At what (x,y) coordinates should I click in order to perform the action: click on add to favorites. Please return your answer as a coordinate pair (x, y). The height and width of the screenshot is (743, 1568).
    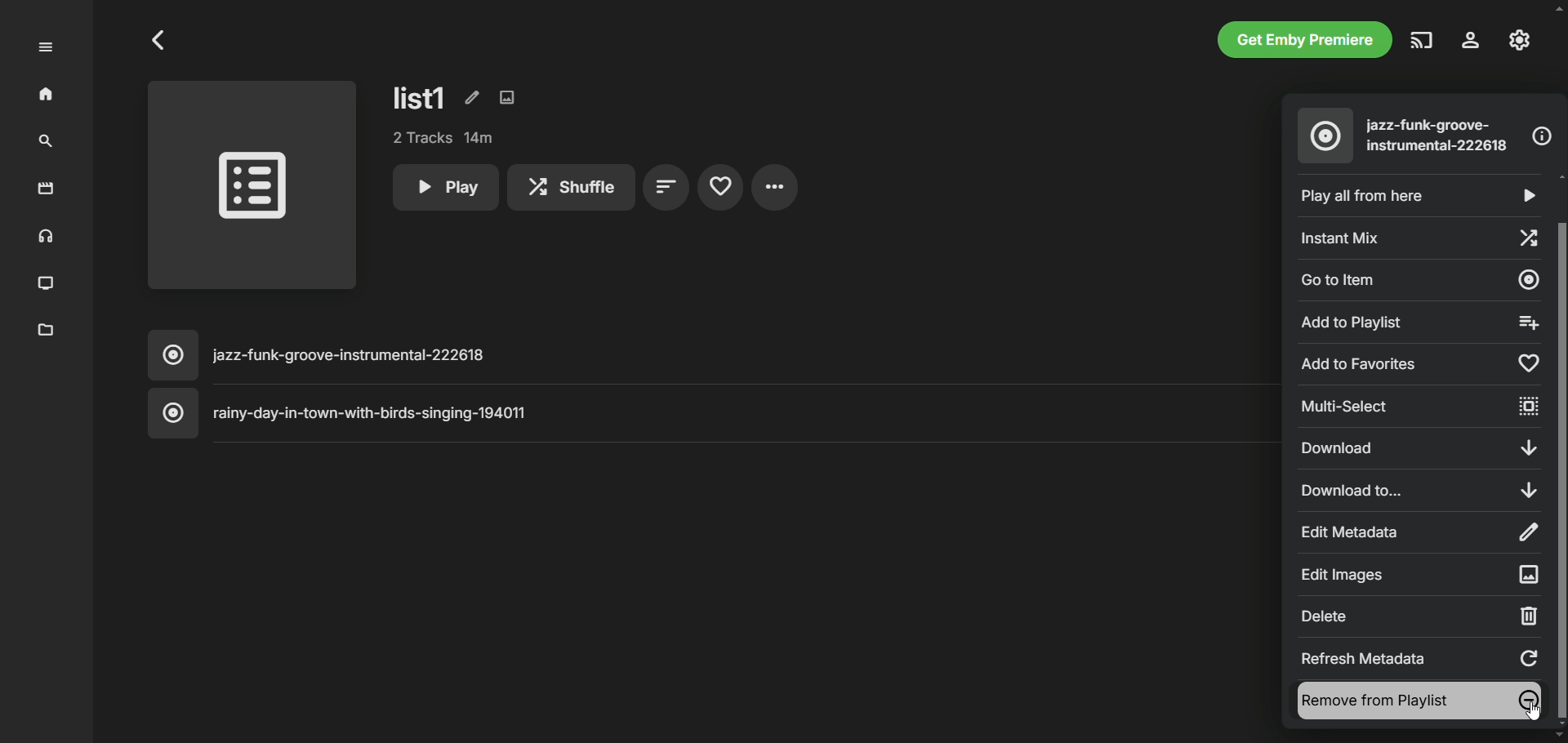
    Looking at the image, I should click on (1418, 364).